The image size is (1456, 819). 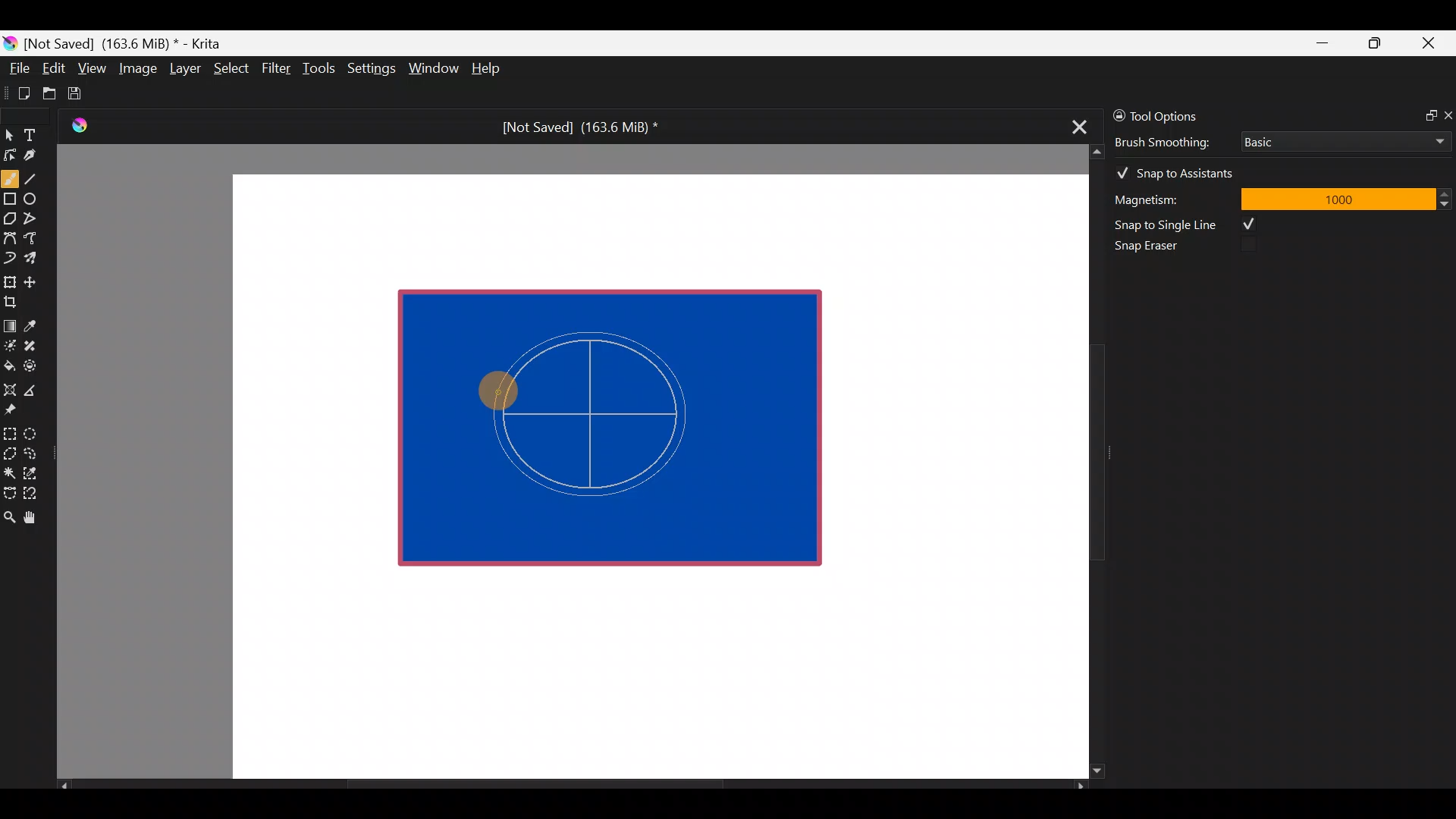 I want to click on Create new document, so click(x=19, y=93).